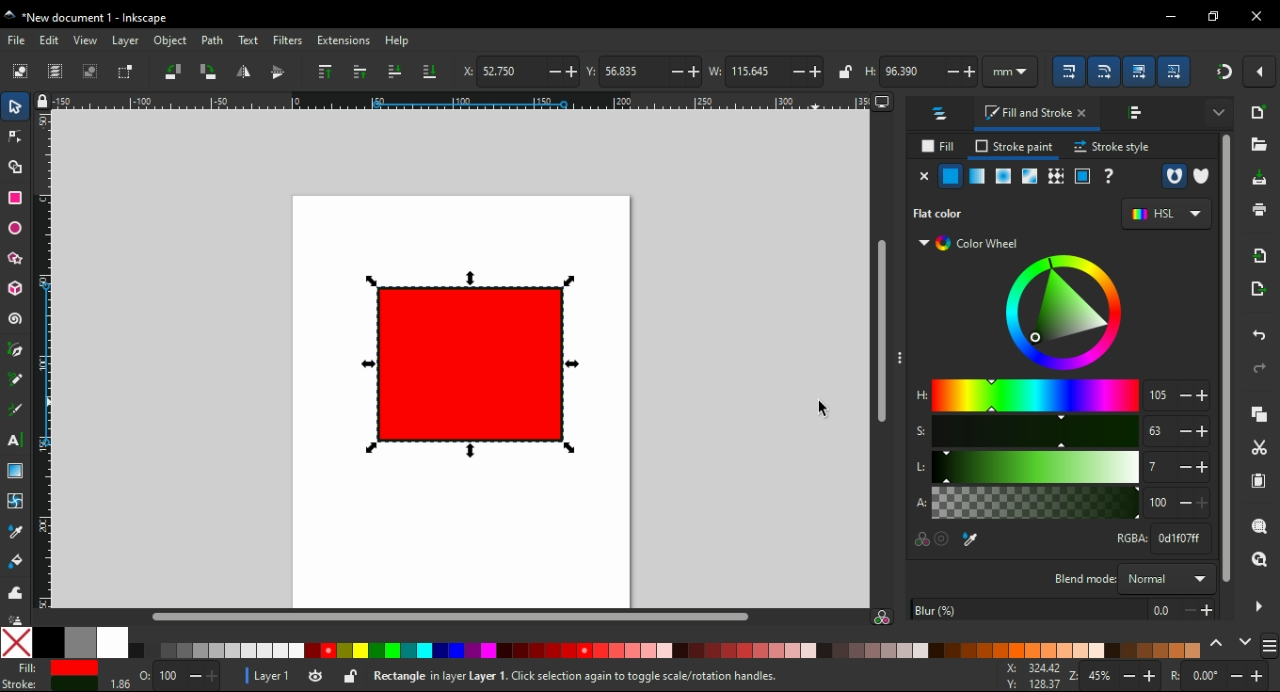 The height and width of the screenshot is (692, 1280). What do you see at coordinates (10, 15) in the screenshot?
I see `logo` at bounding box center [10, 15].